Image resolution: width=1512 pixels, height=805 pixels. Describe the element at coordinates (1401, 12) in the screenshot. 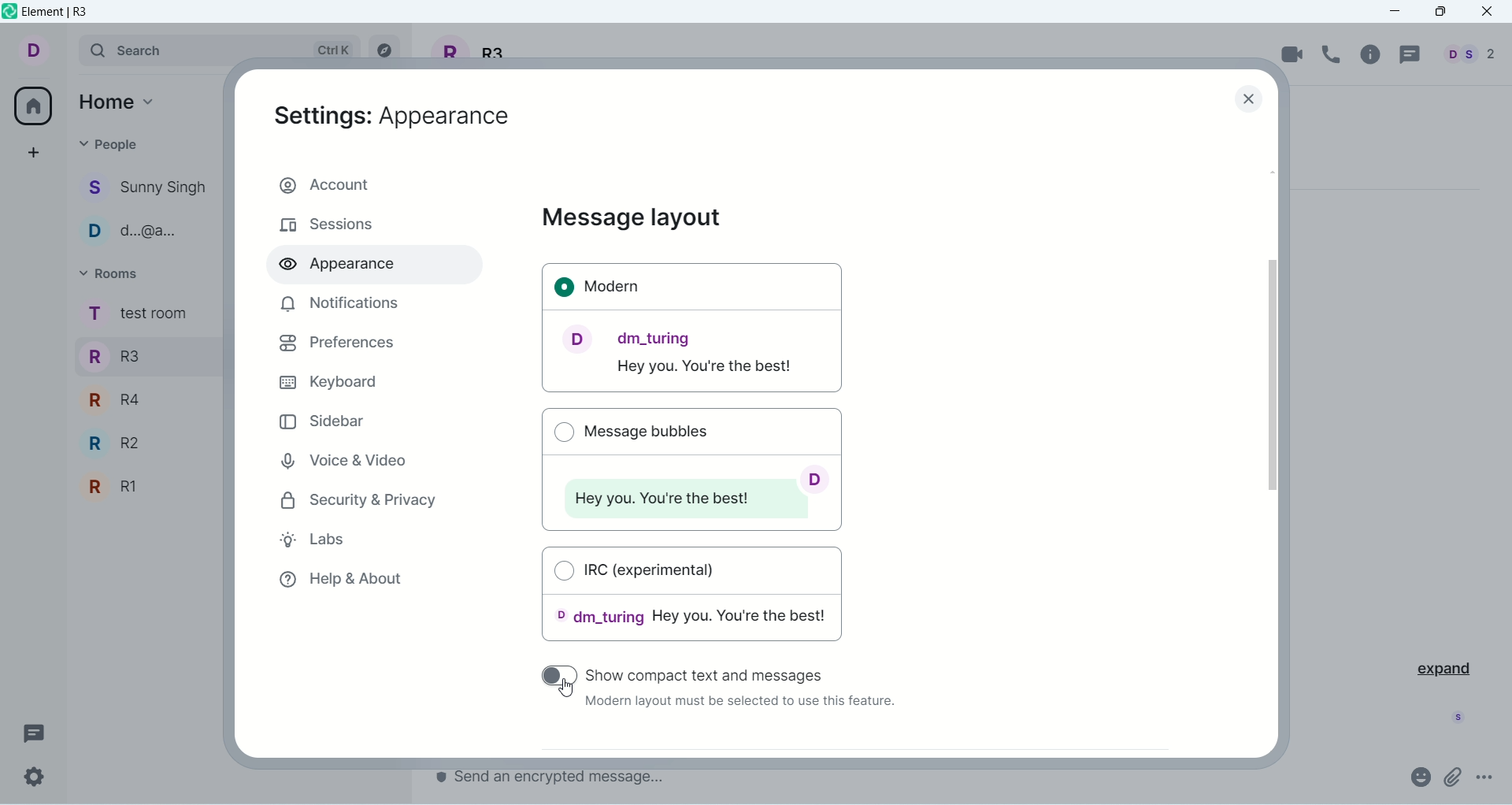

I see `minimize` at that location.